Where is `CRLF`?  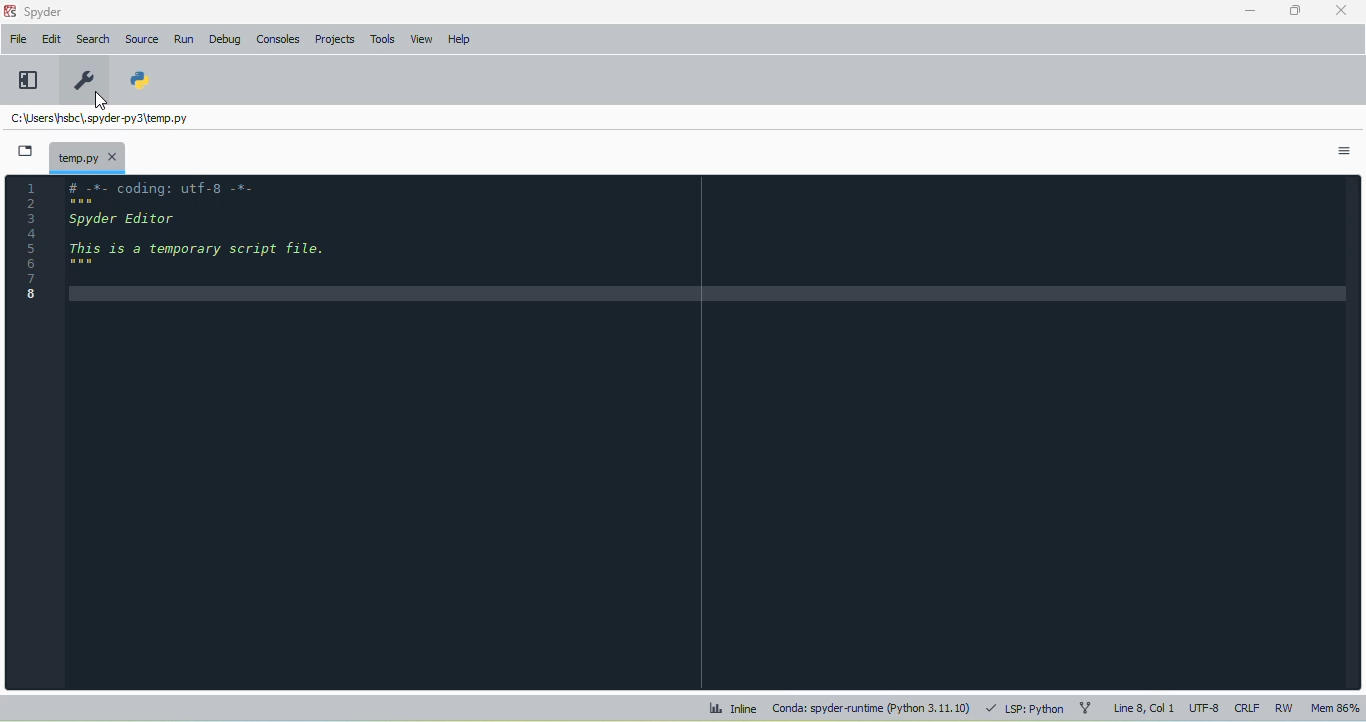
CRLF is located at coordinates (1246, 709).